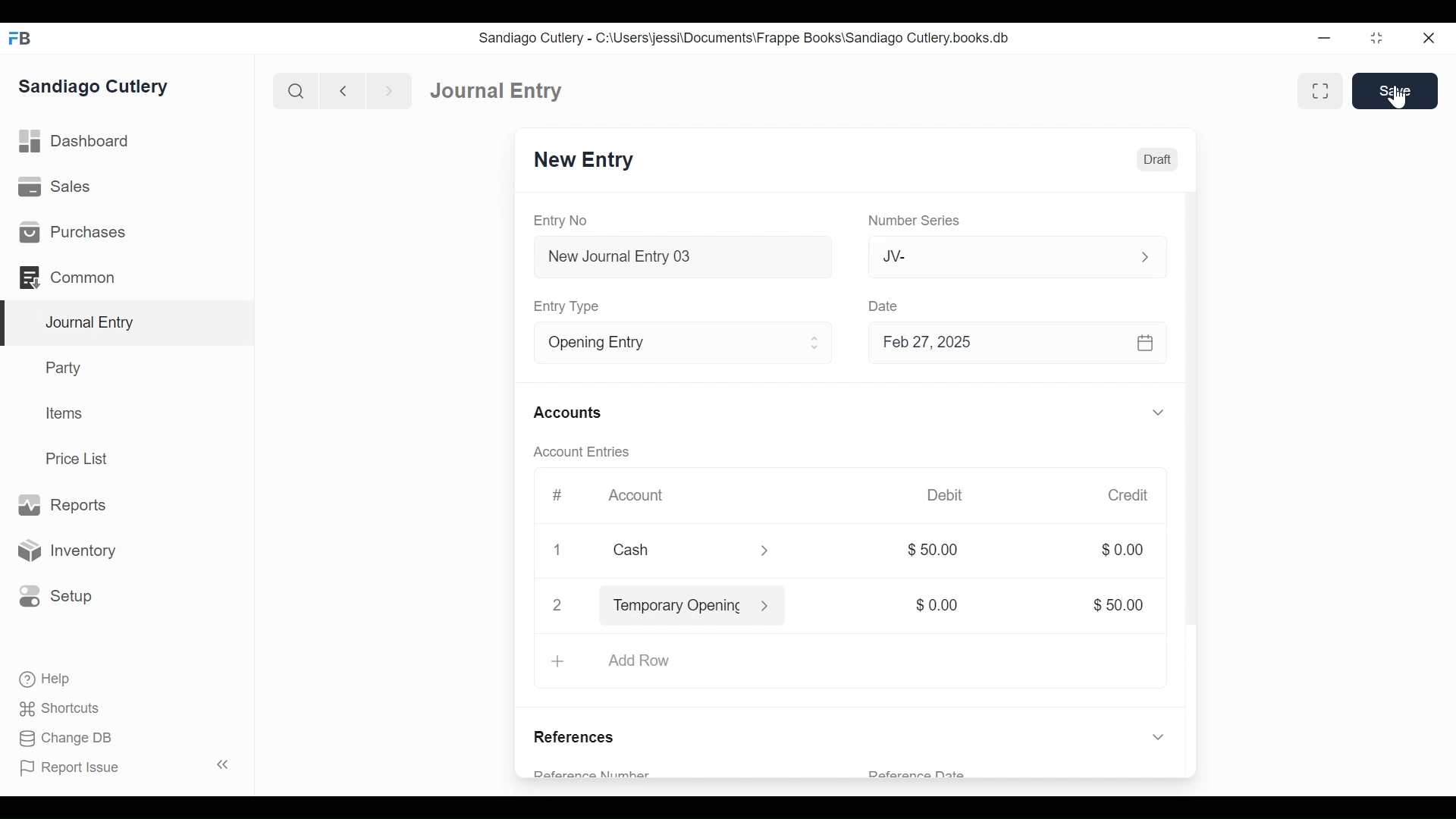  Describe the element at coordinates (1156, 161) in the screenshot. I see `Draft` at that location.